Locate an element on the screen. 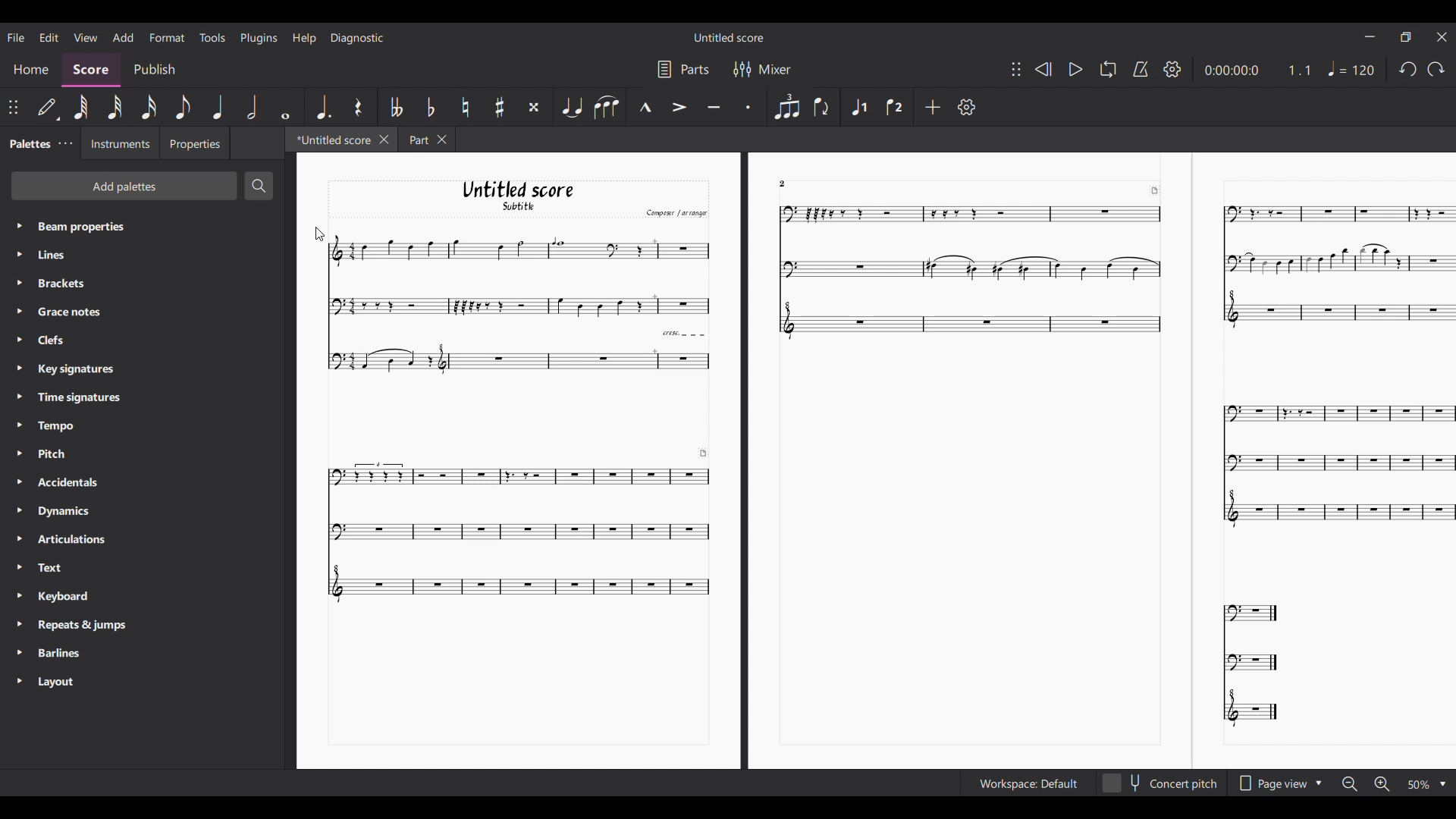 The image size is (1456, 819). Close  is located at coordinates (1442, 36).